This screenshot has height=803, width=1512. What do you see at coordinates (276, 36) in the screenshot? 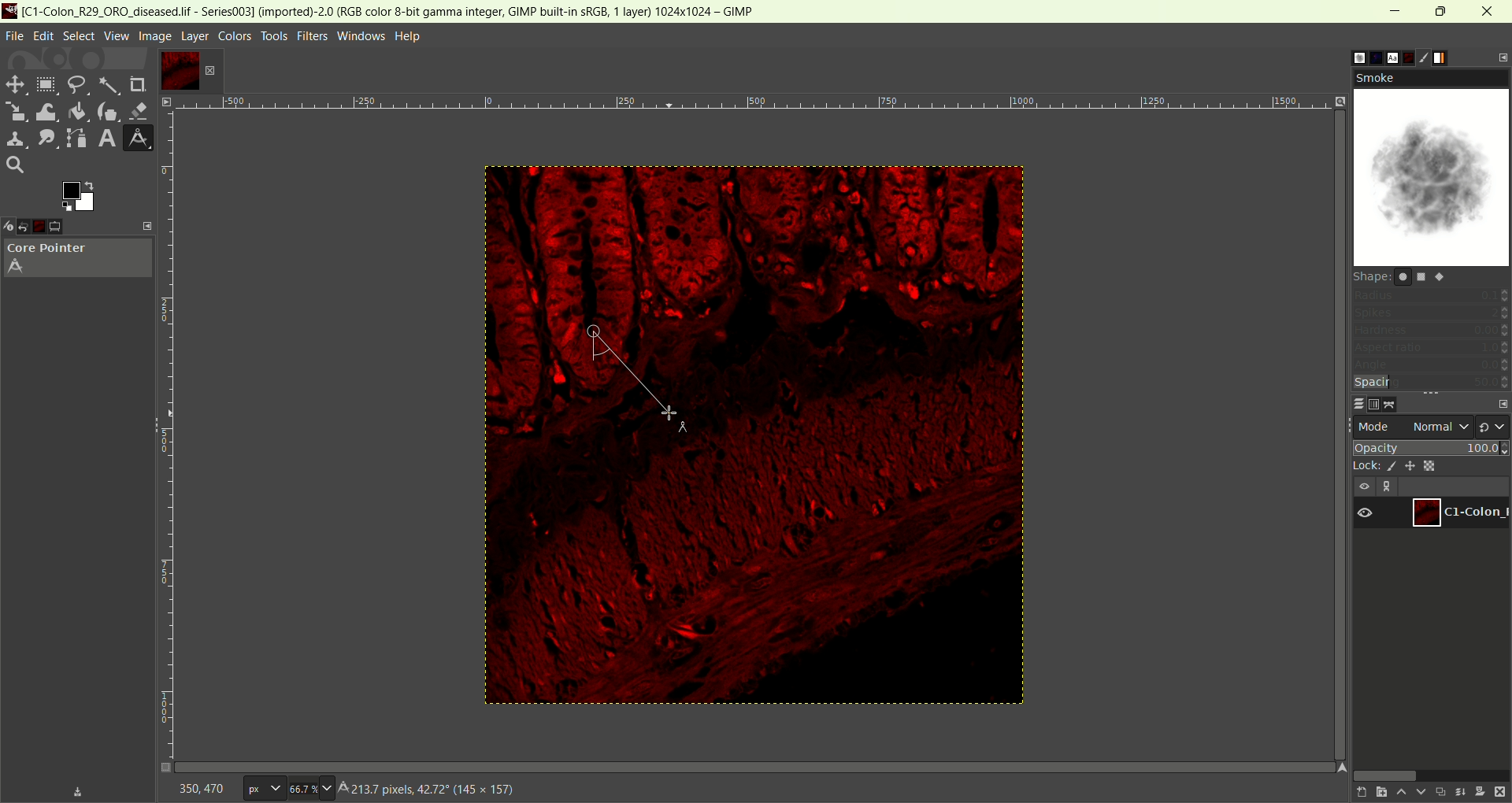
I see `tools` at bounding box center [276, 36].